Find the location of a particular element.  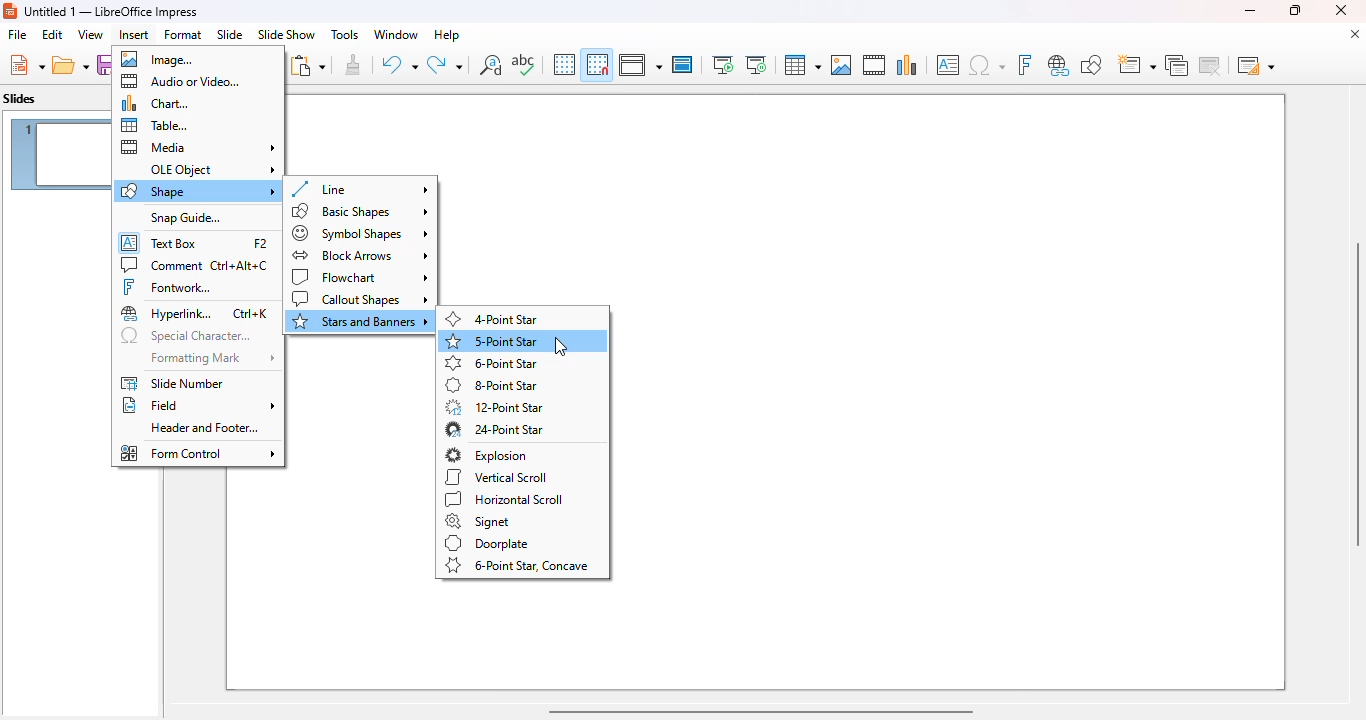

slides is located at coordinates (20, 99).